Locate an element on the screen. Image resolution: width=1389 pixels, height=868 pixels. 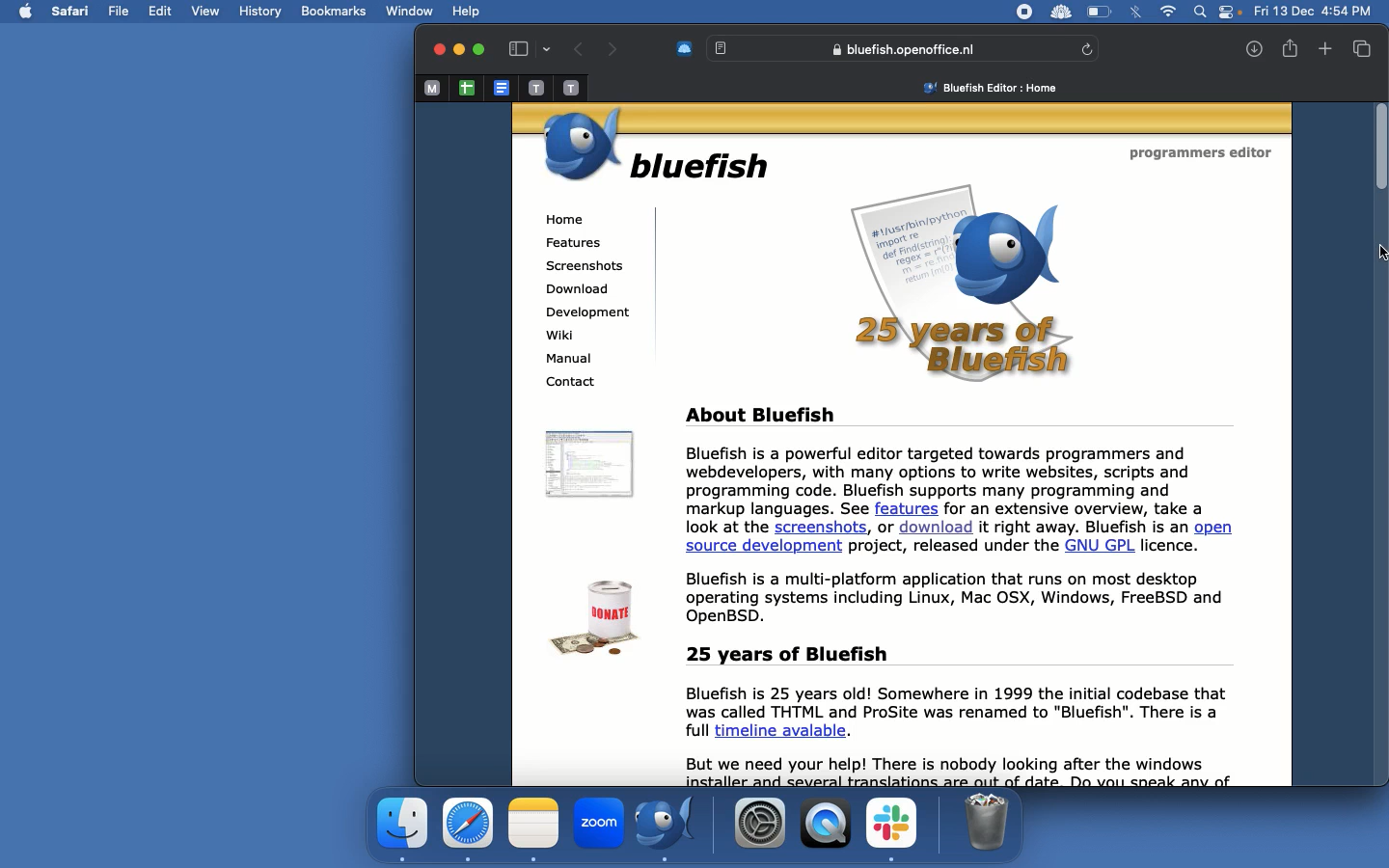
Bluefish is located at coordinates (674, 824).